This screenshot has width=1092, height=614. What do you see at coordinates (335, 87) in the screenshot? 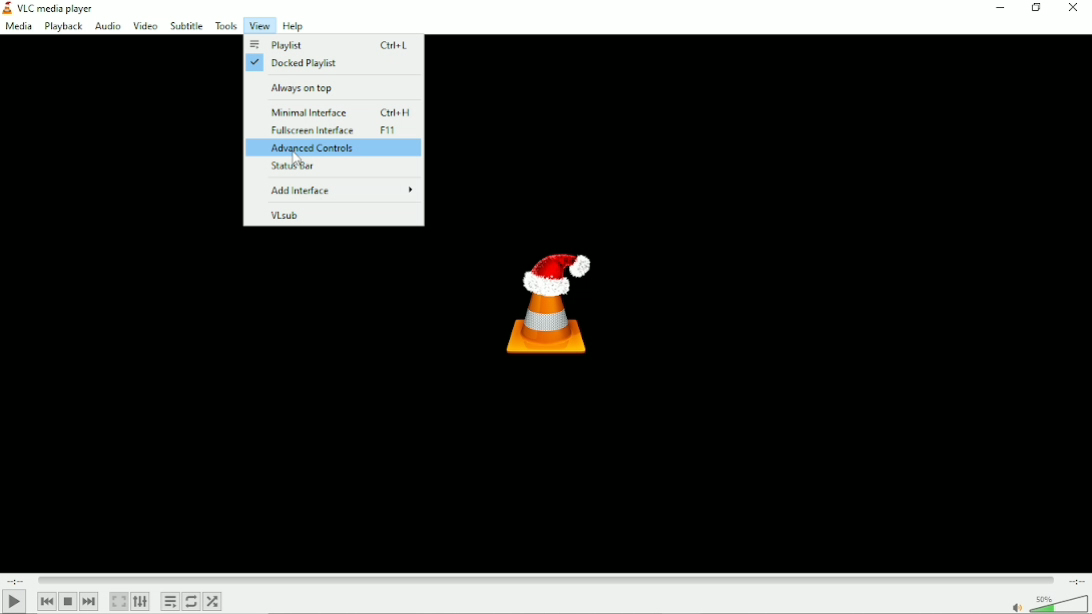
I see `always on top` at bounding box center [335, 87].